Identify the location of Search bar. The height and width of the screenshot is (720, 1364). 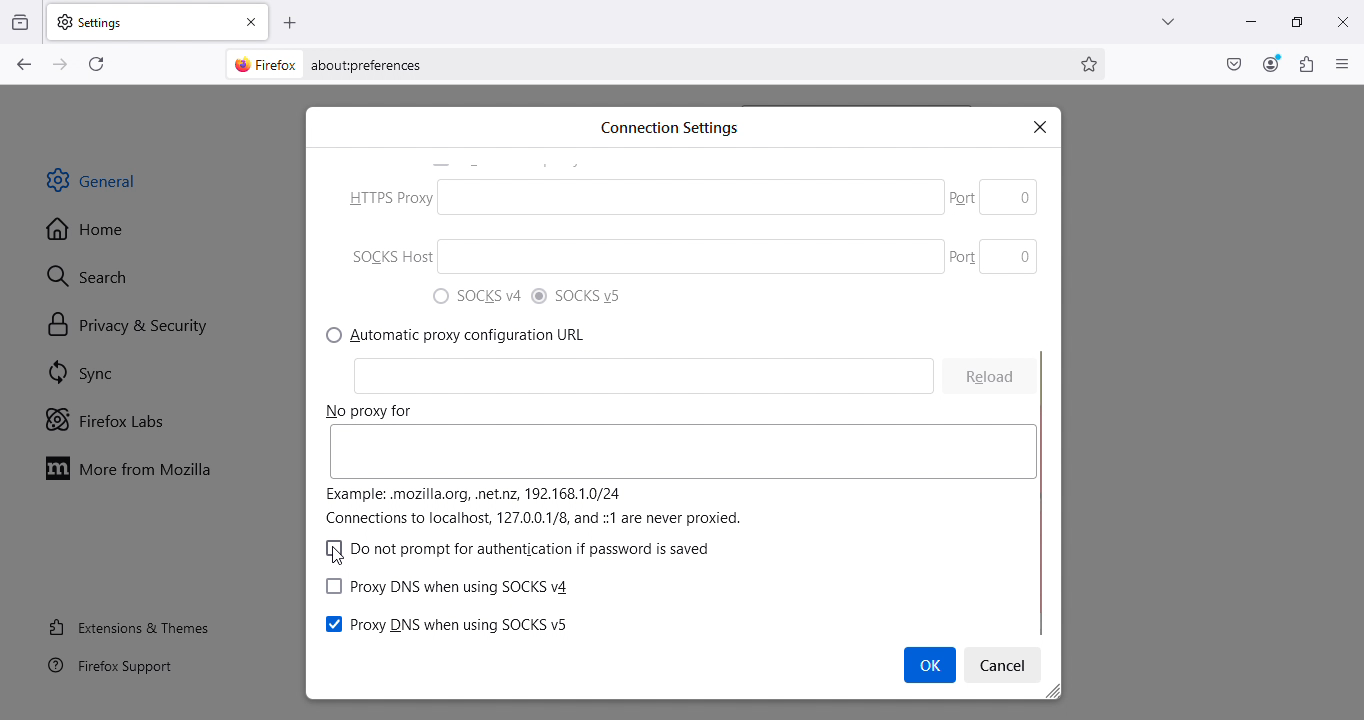
(686, 127).